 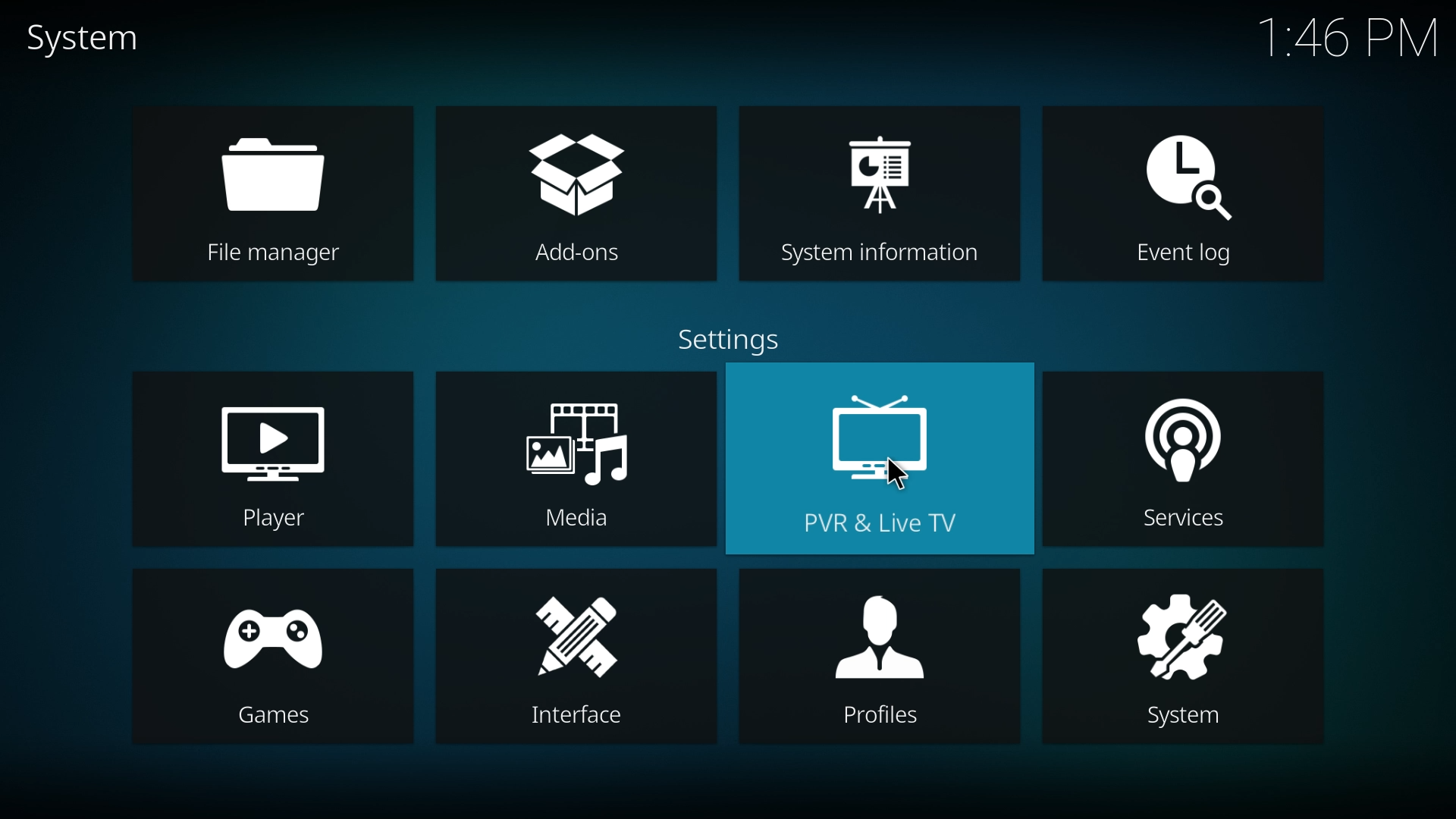 What do you see at coordinates (86, 39) in the screenshot?
I see `system` at bounding box center [86, 39].